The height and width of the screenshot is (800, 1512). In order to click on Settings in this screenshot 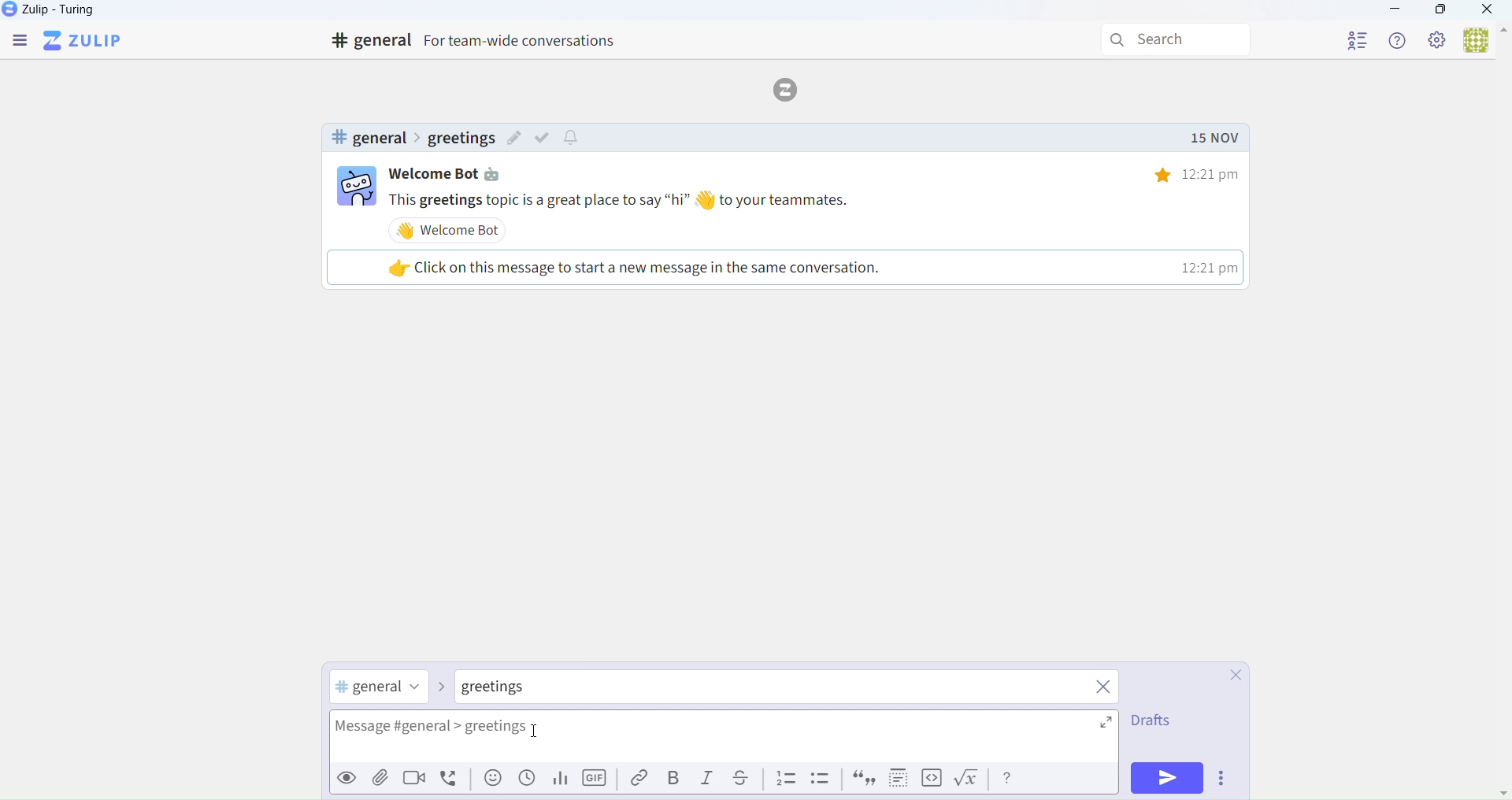, I will do `click(1438, 41)`.